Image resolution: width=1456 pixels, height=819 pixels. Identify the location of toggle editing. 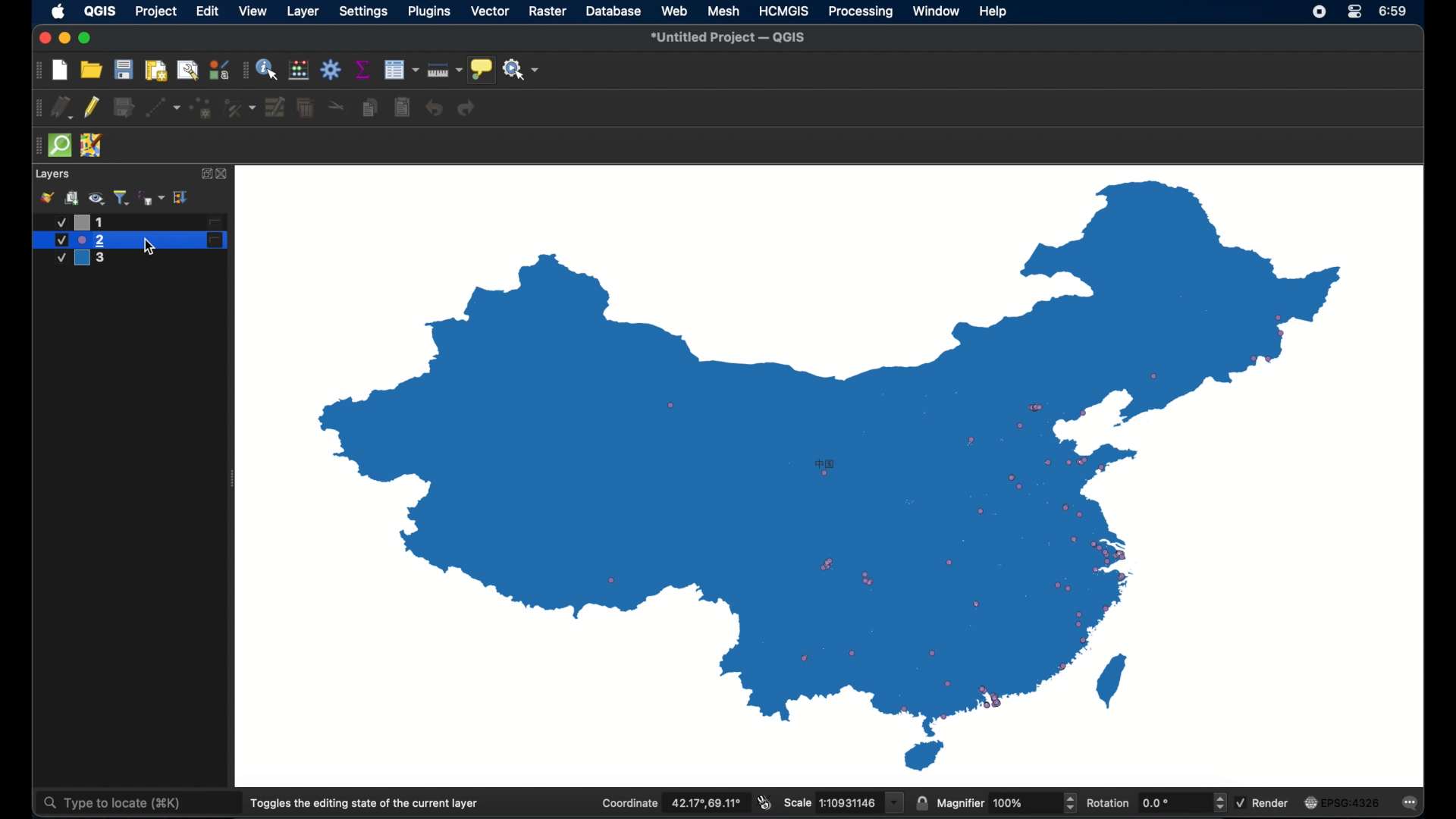
(91, 108).